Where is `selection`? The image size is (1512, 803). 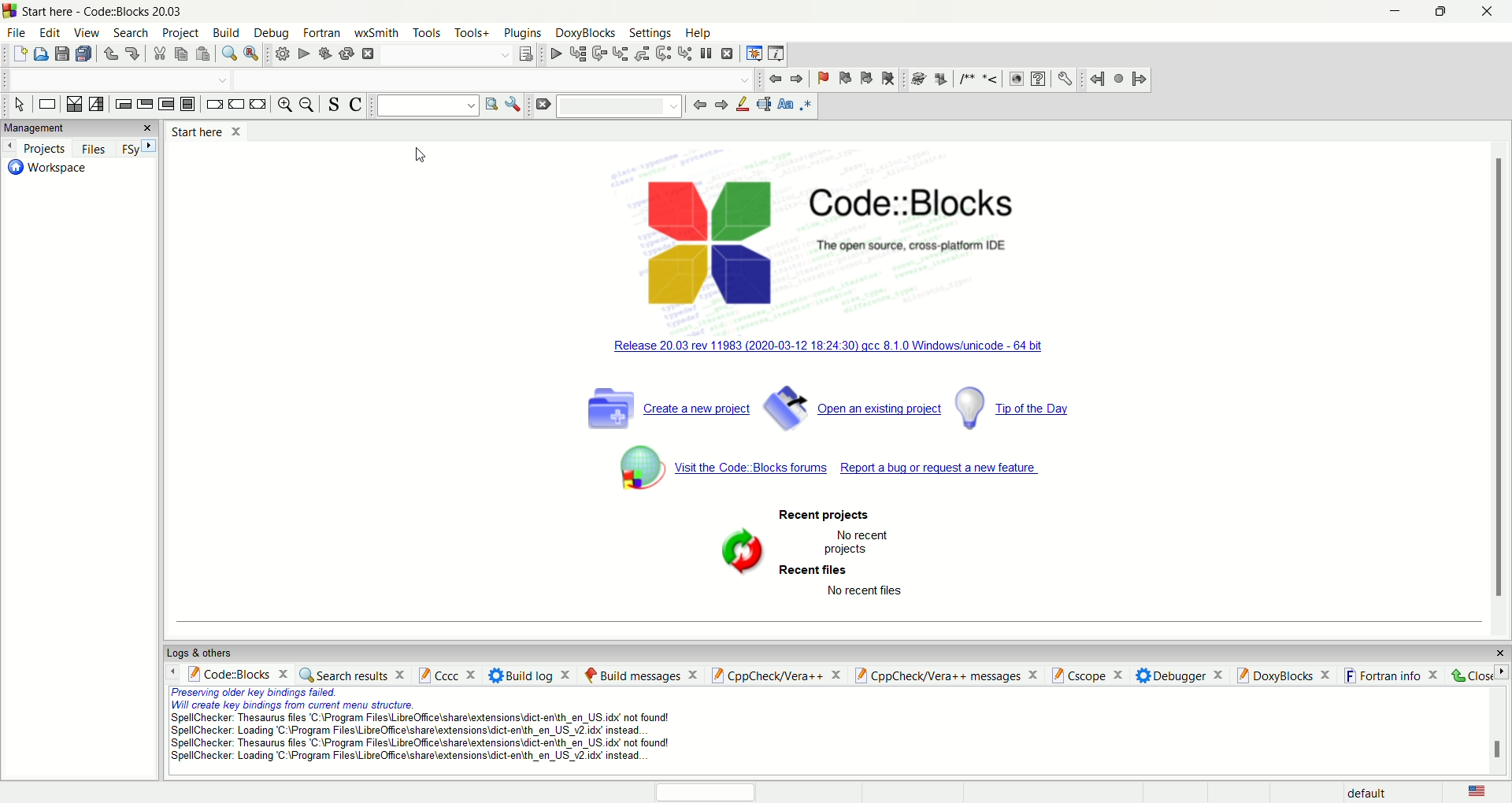 selection is located at coordinates (97, 105).